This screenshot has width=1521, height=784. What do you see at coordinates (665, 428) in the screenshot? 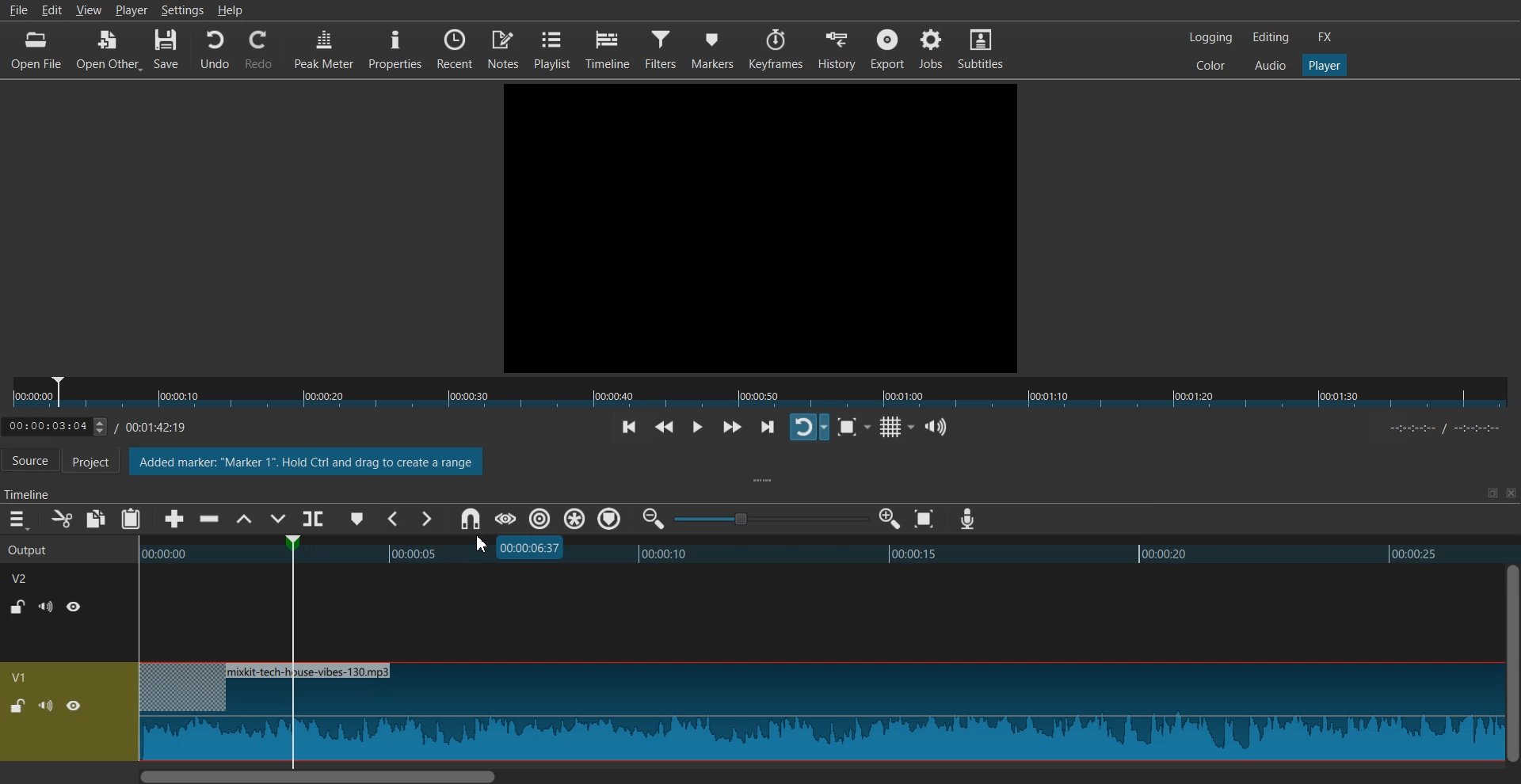
I see `Play quickly backwards` at bounding box center [665, 428].